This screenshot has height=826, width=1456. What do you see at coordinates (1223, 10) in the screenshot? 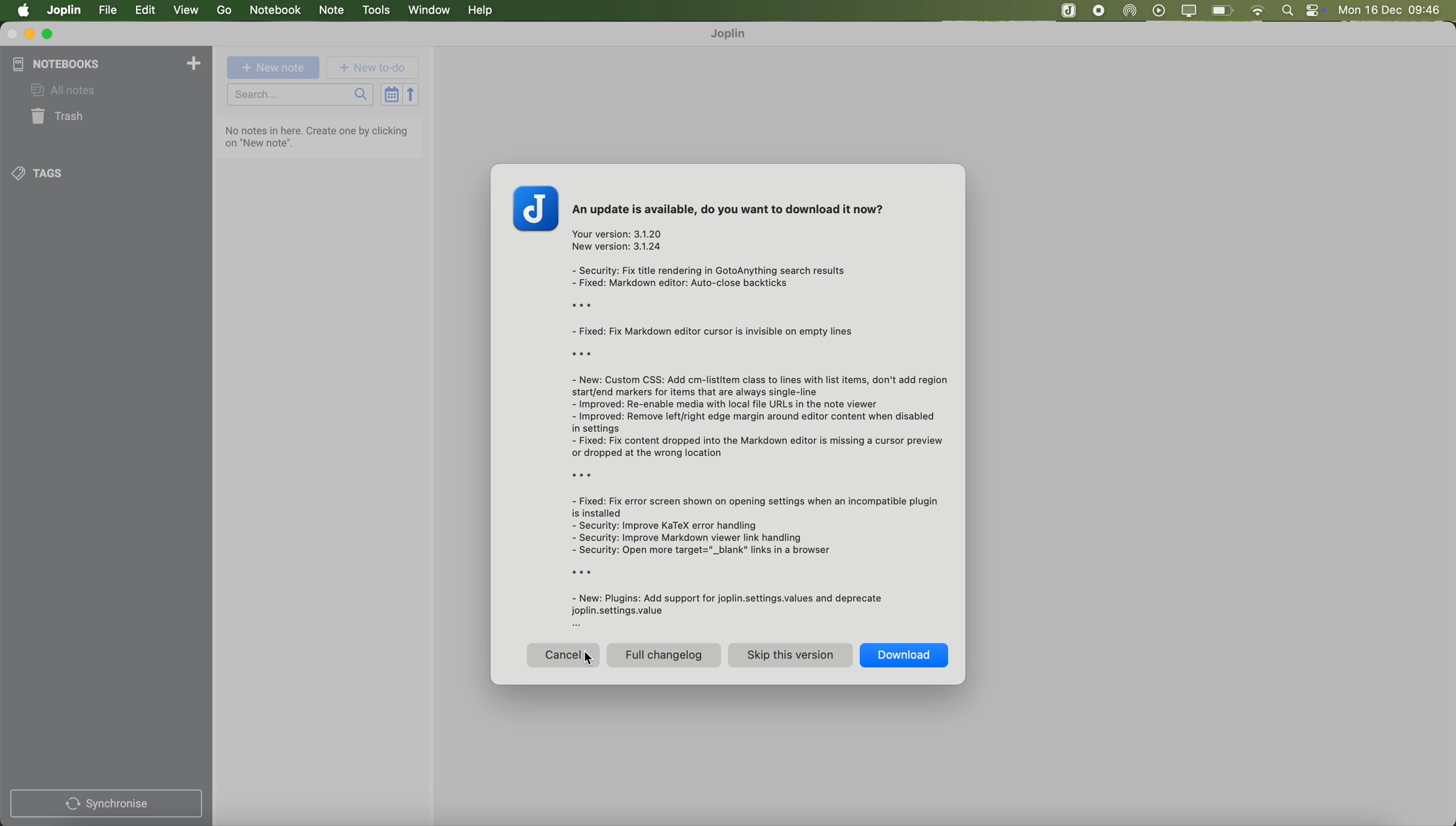
I see `battery` at bounding box center [1223, 10].